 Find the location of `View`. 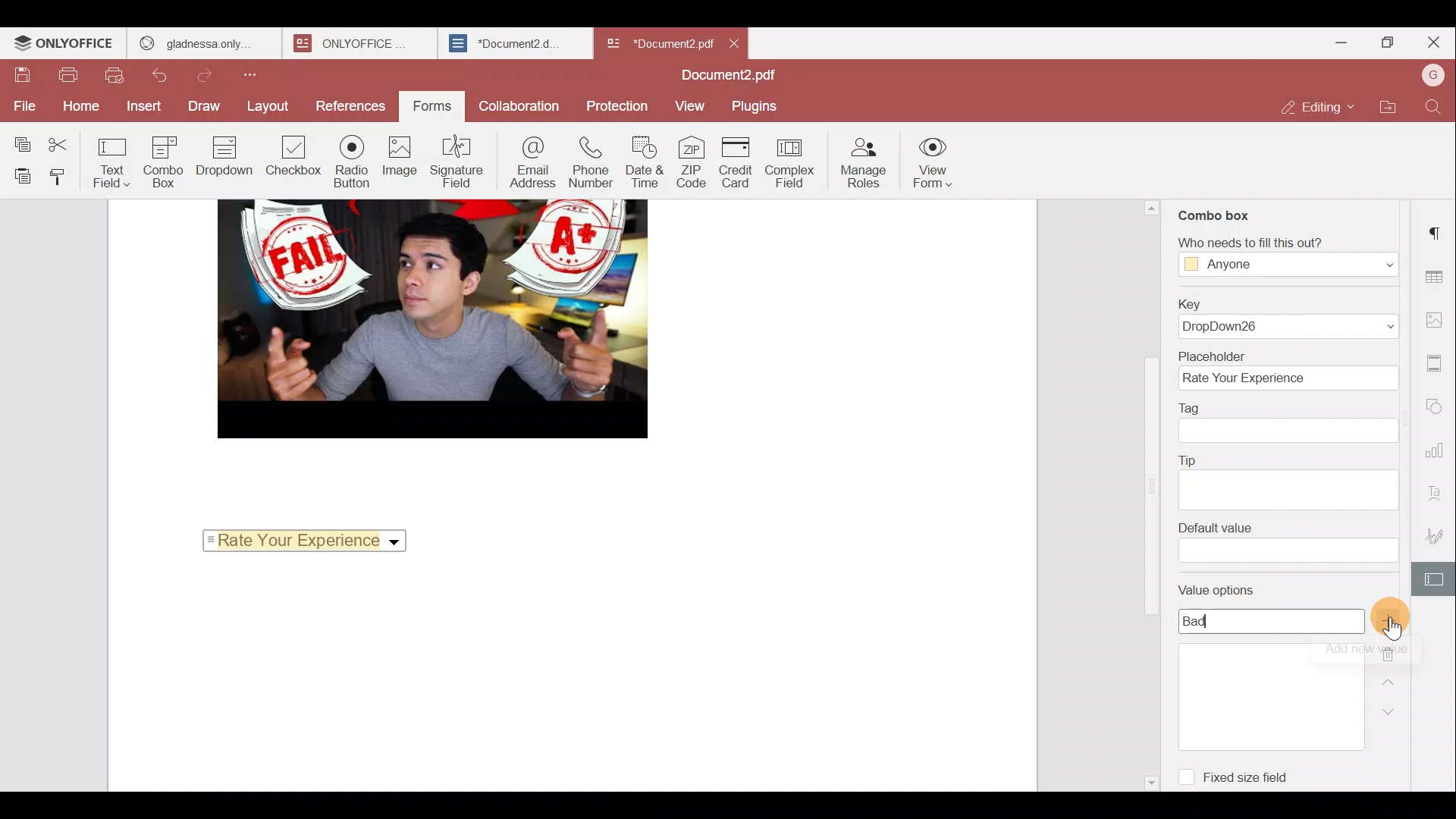

View is located at coordinates (692, 105).